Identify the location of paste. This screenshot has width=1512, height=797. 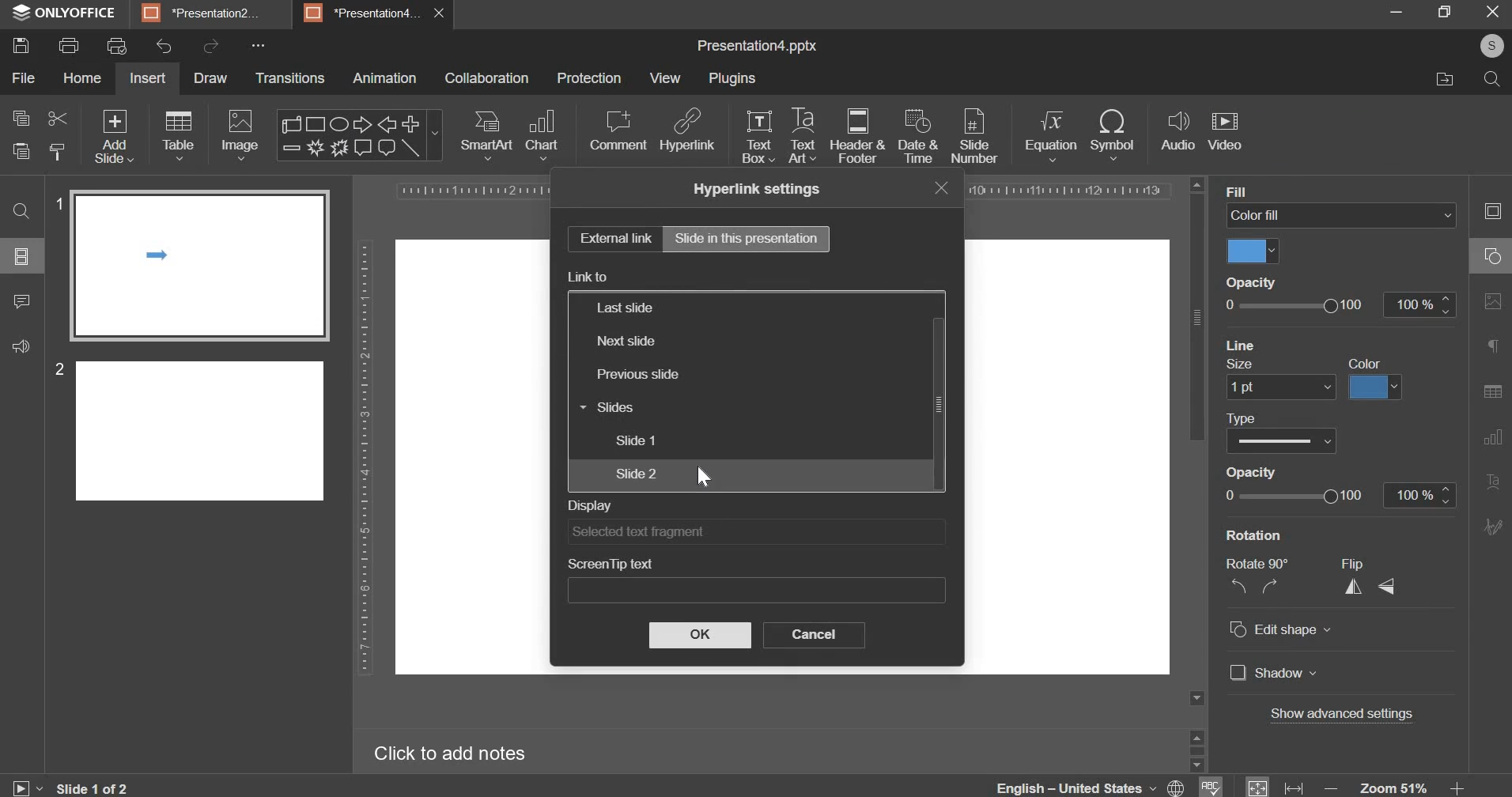
(19, 151).